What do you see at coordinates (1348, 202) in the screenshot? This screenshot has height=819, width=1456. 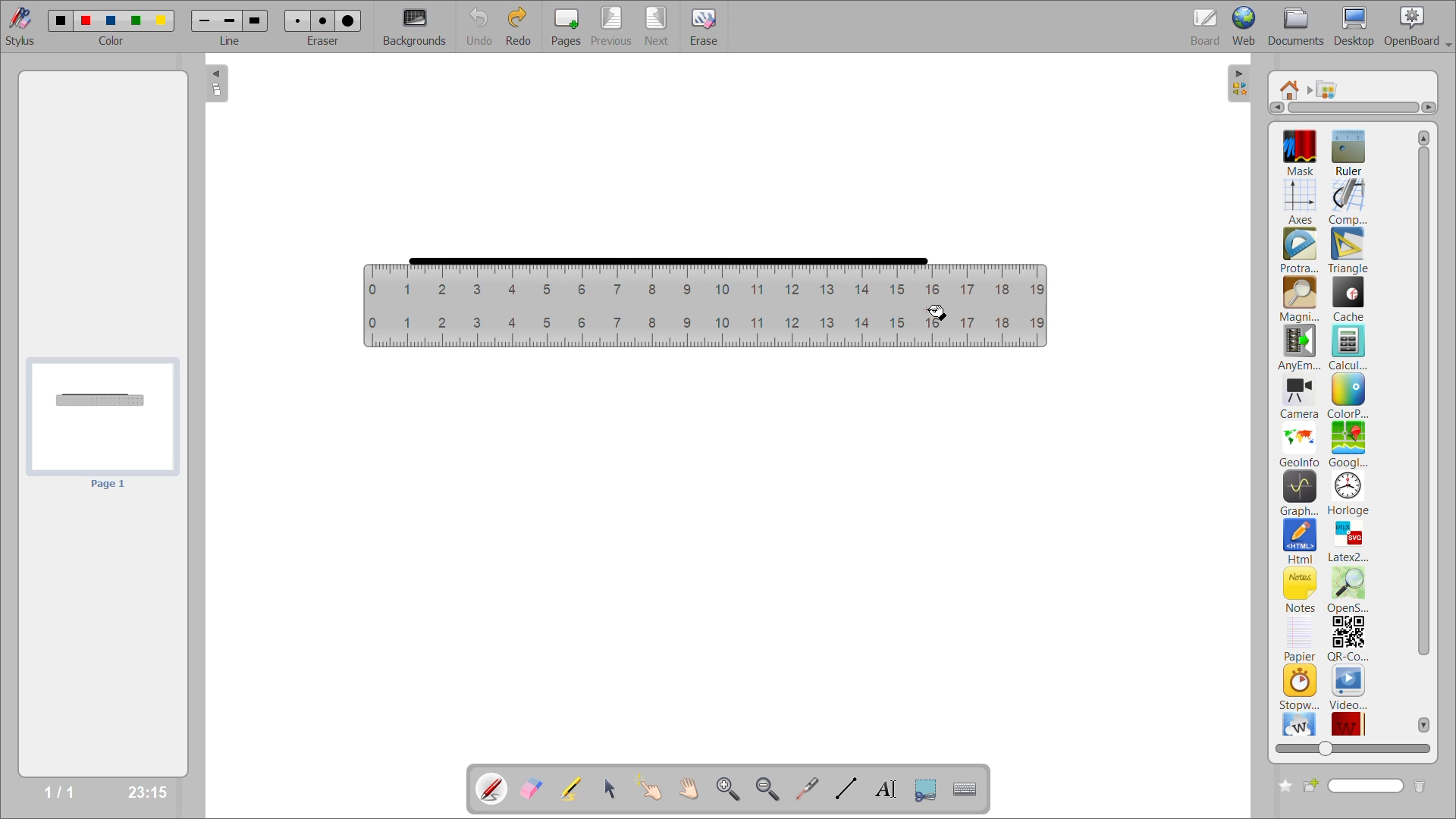 I see `compass` at bounding box center [1348, 202].